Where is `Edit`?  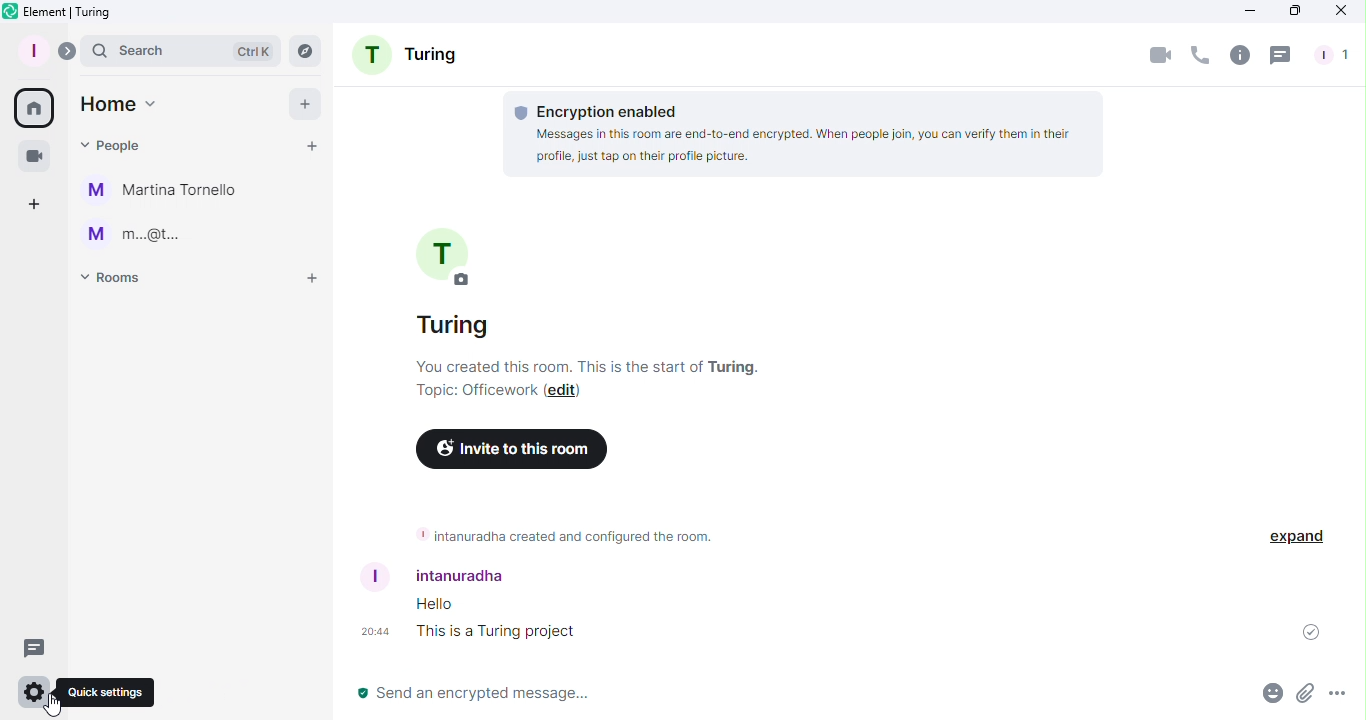
Edit is located at coordinates (563, 392).